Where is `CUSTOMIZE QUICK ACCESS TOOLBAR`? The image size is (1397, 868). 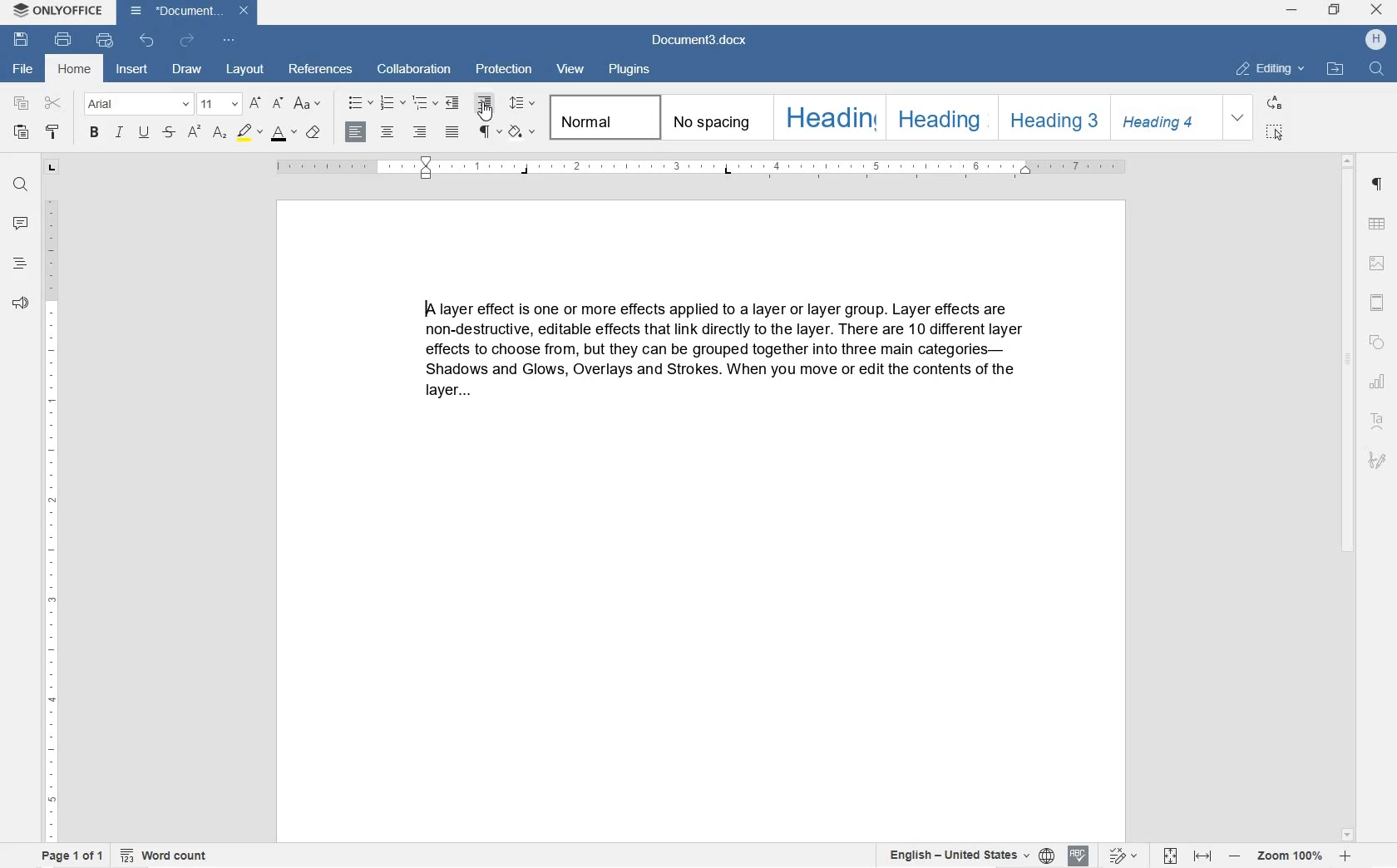 CUSTOMIZE QUICK ACCESS TOOLBAR is located at coordinates (227, 40).